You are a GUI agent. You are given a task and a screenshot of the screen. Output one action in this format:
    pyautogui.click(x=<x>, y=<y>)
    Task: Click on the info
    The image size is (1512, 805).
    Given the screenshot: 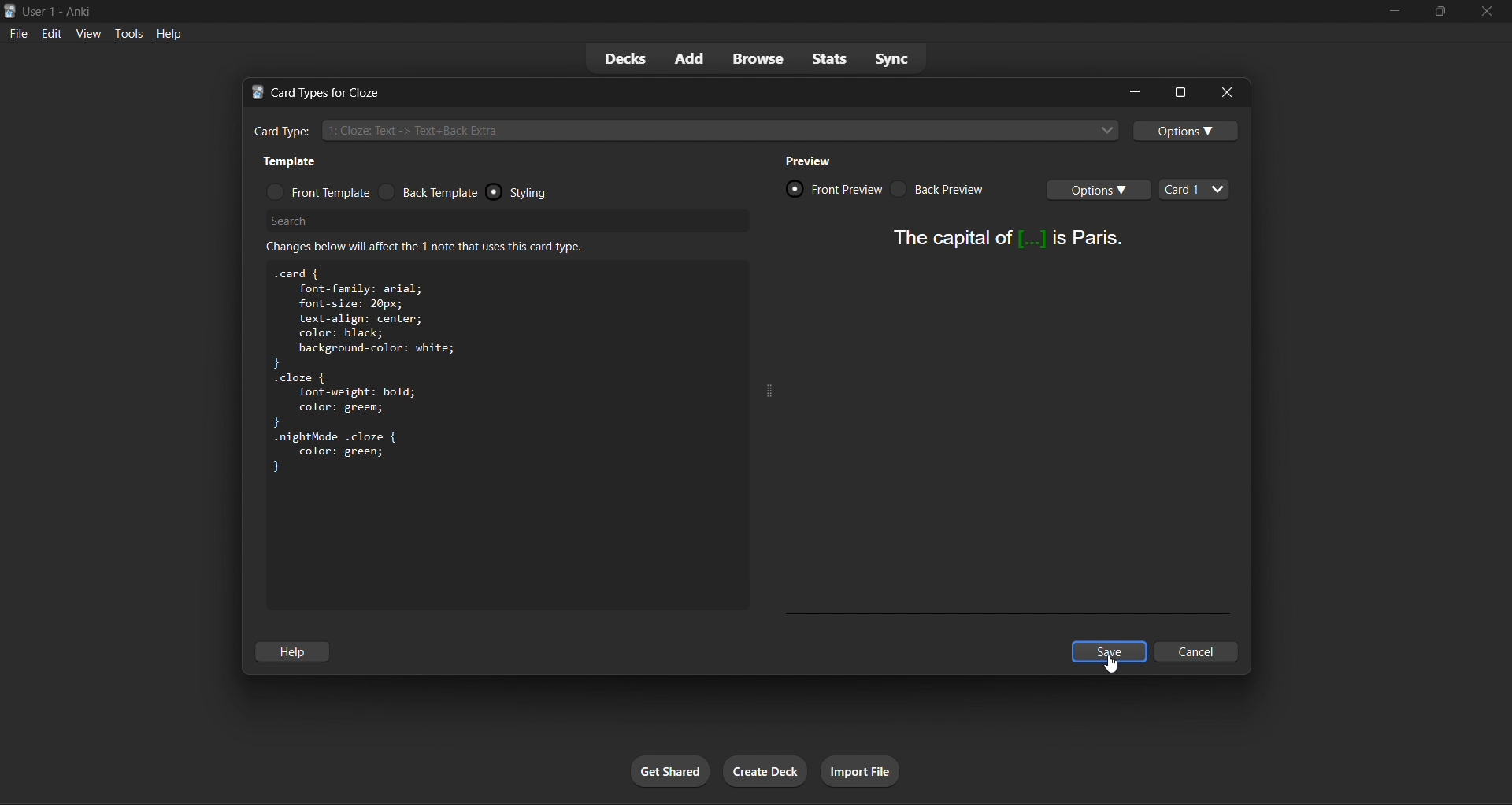 What is the action you would take?
    pyautogui.click(x=435, y=250)
    